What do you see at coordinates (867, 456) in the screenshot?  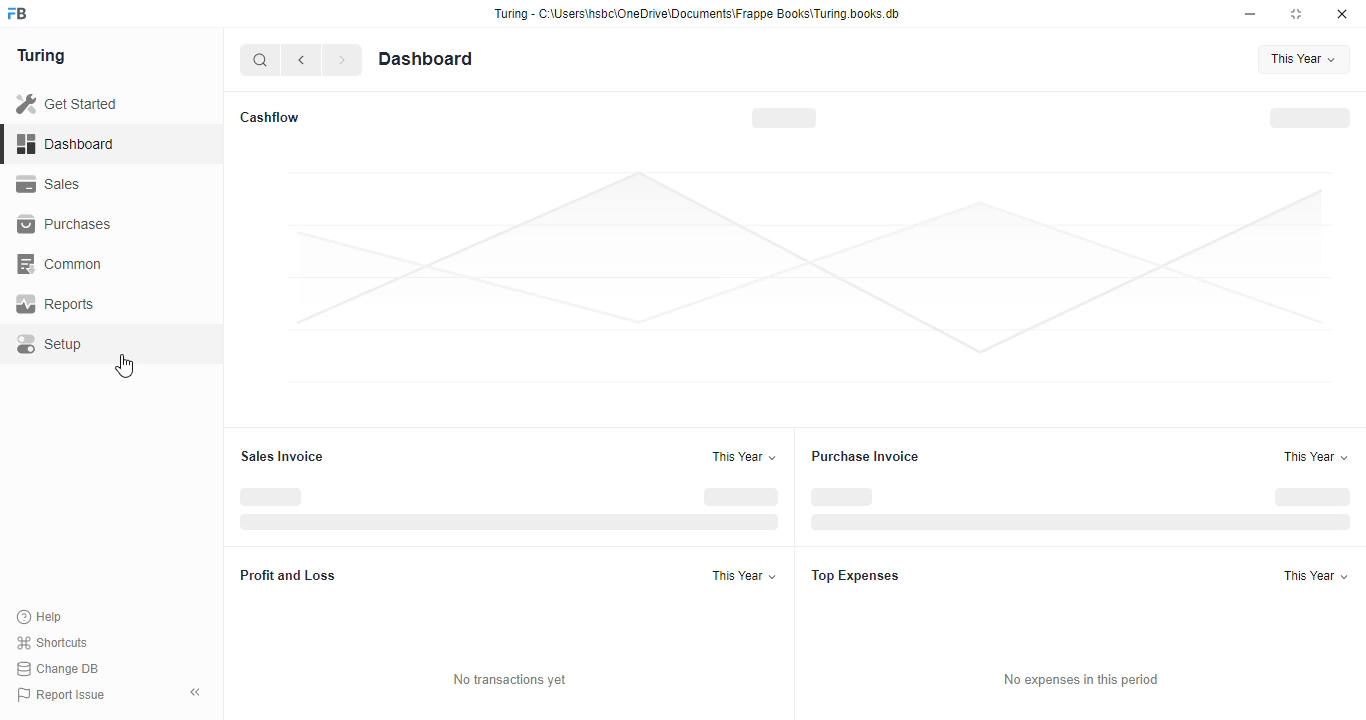 I see `purchase invoice` at bounding box center [867, 456].